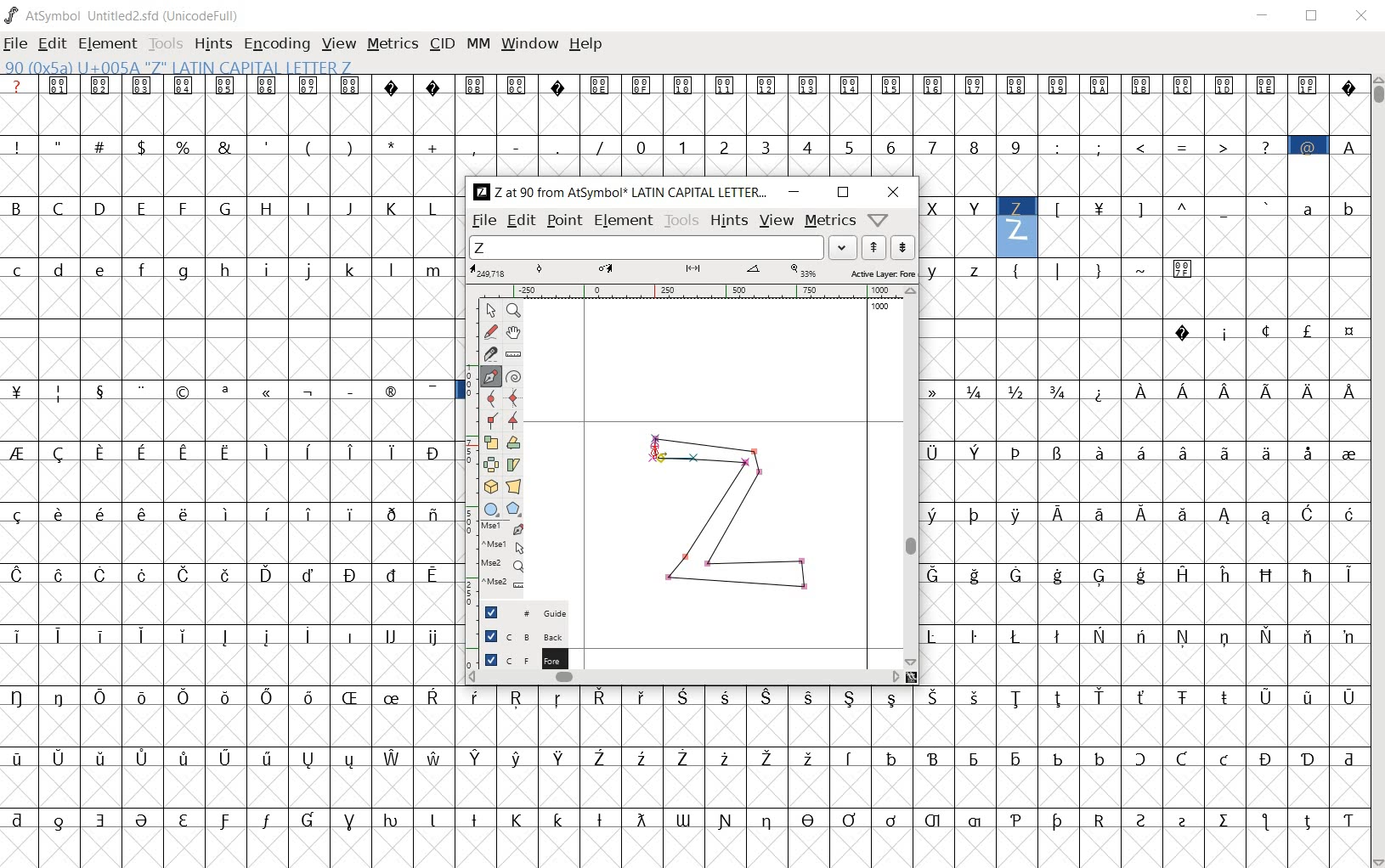 This screenshot has width=1385, height=868. Describe the element at coordinates (512, 420) in the screenshot. I see `Add a corner point` at that location.